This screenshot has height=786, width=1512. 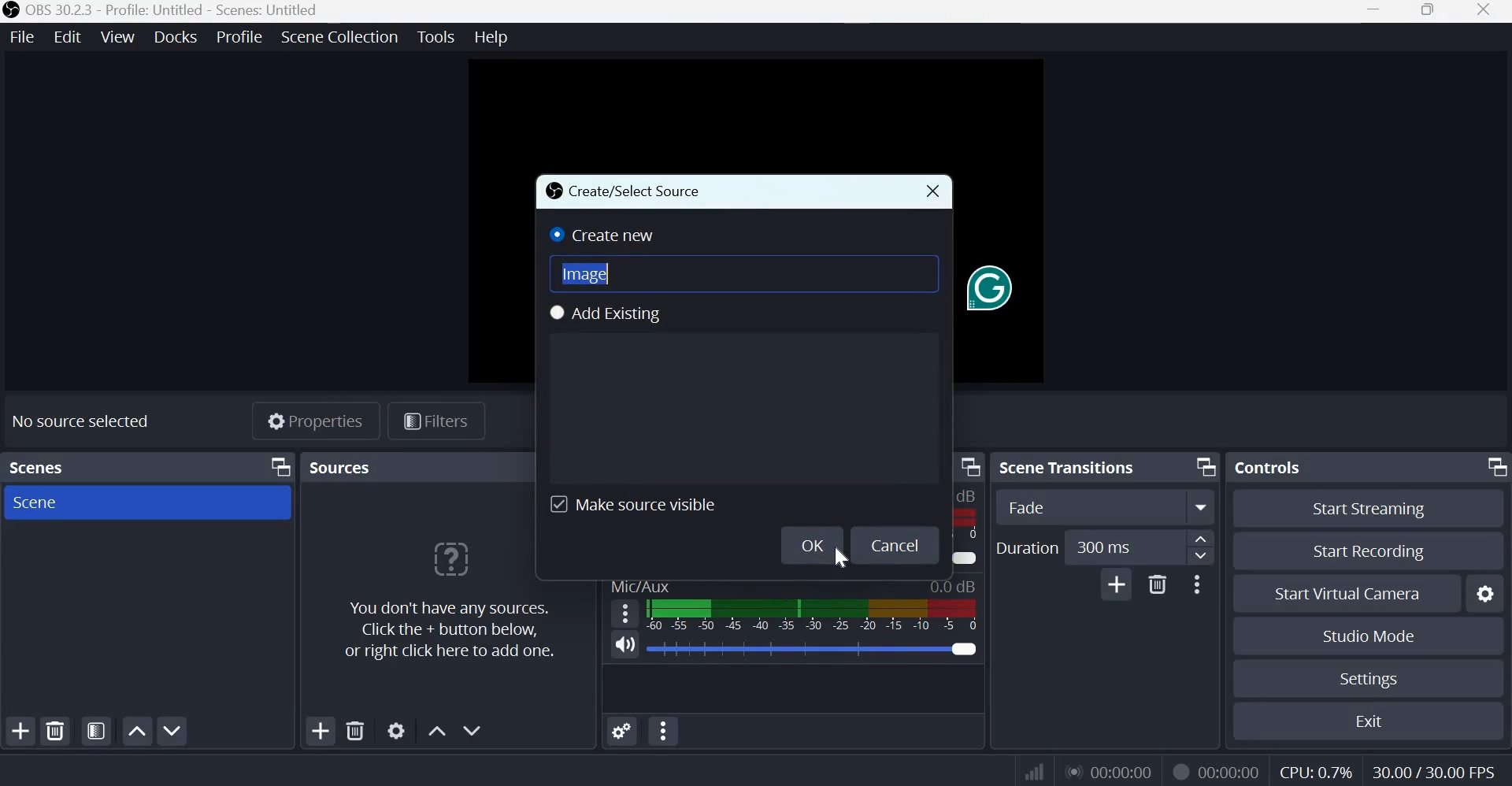 What do you see at coordinates (1369, 549) in the screenshot?
I see `Start recording` at bounding box center [1369, 549].